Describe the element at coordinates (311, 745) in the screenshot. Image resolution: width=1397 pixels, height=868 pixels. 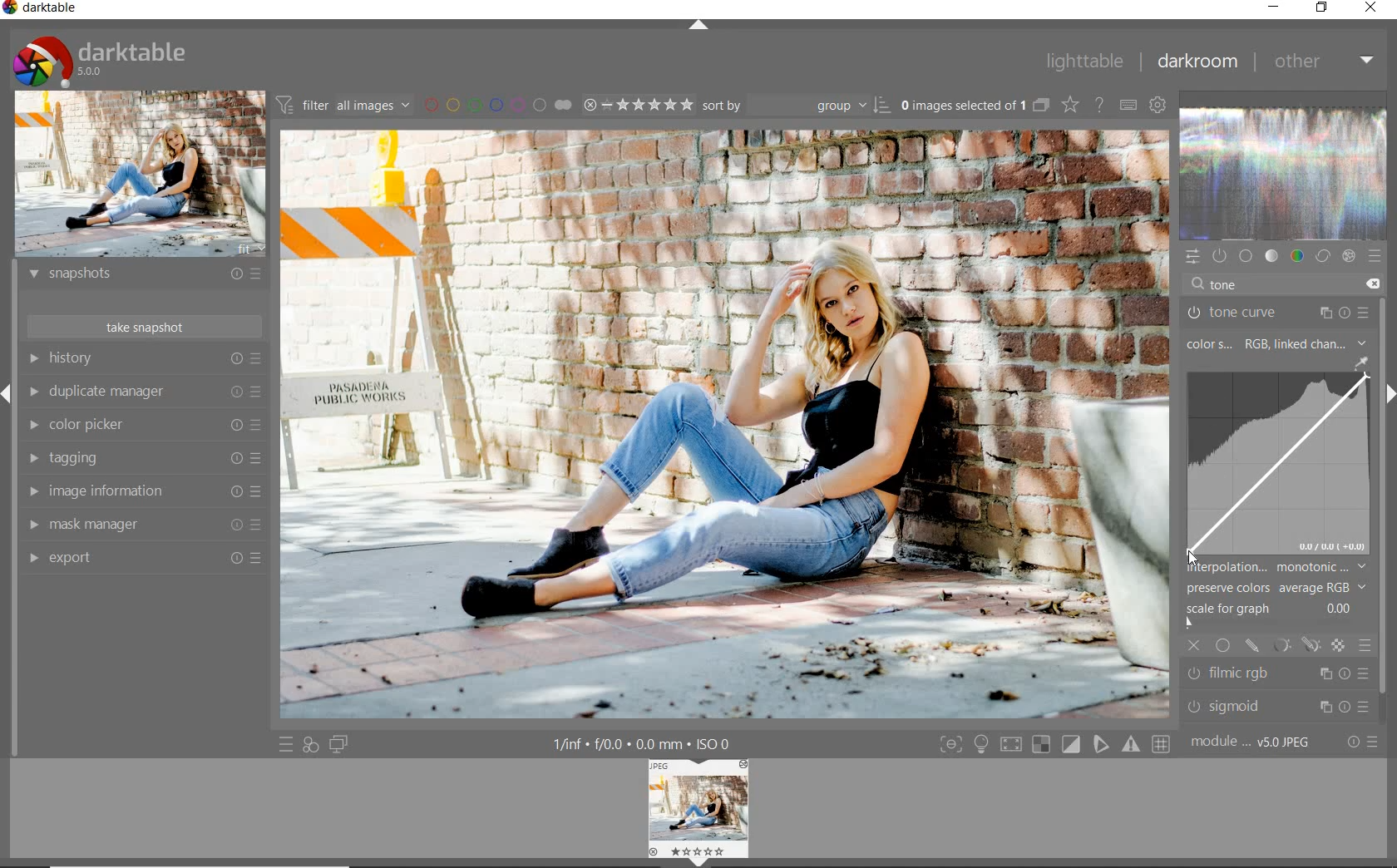
I see `quick access for applying any of your styles` at that location.